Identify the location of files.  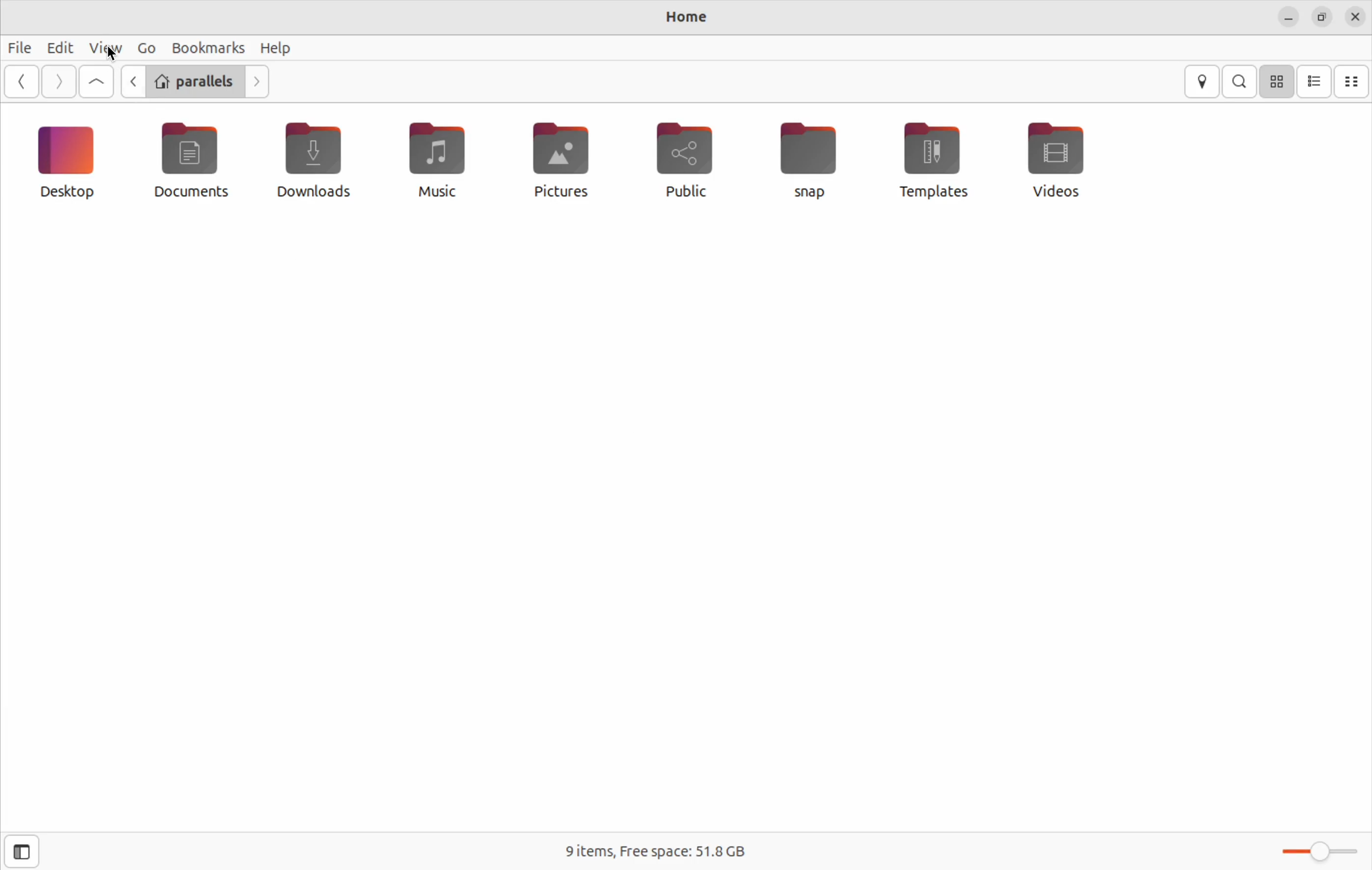
(20, 44).